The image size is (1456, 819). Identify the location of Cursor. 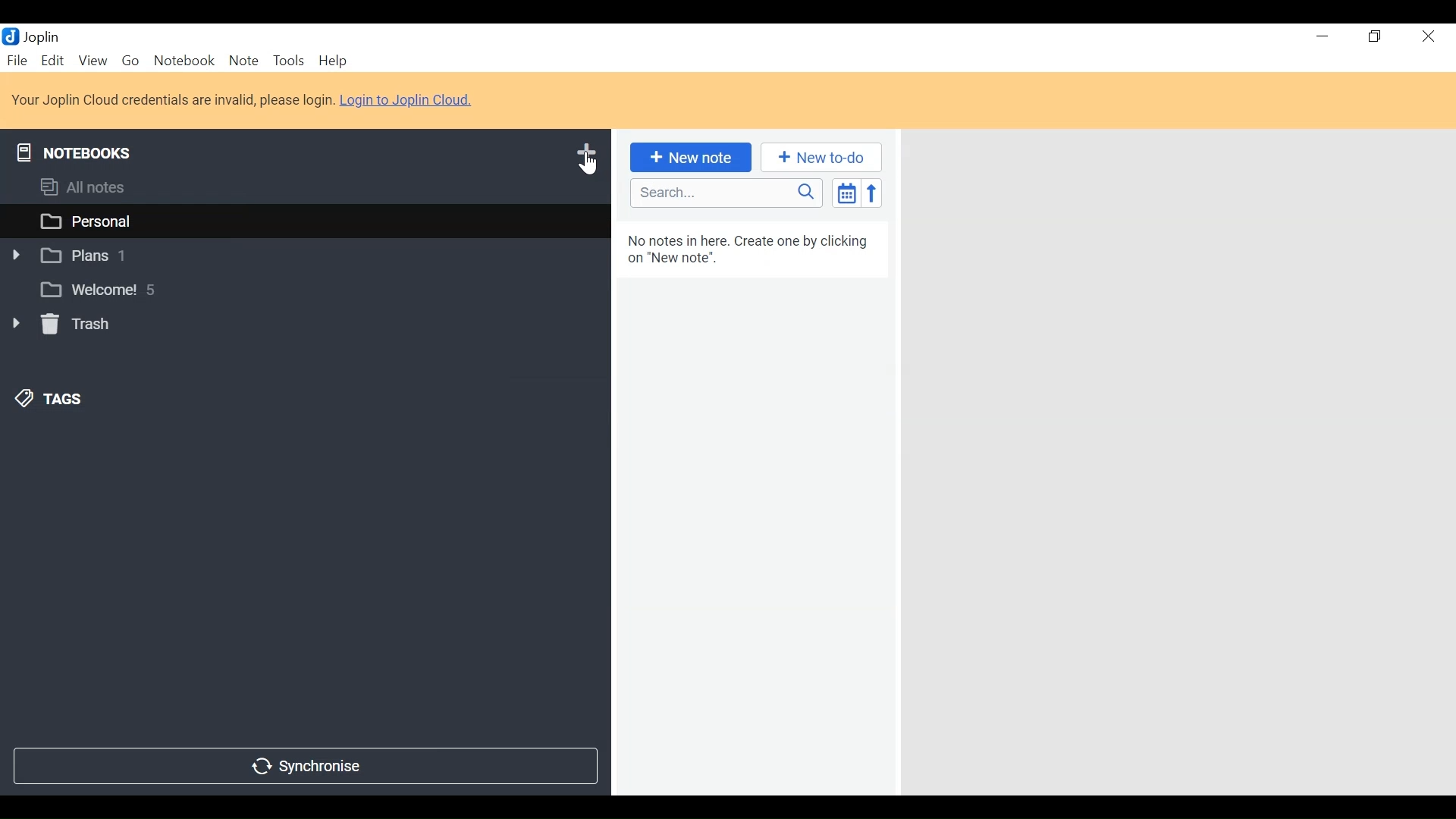
(582, 163).